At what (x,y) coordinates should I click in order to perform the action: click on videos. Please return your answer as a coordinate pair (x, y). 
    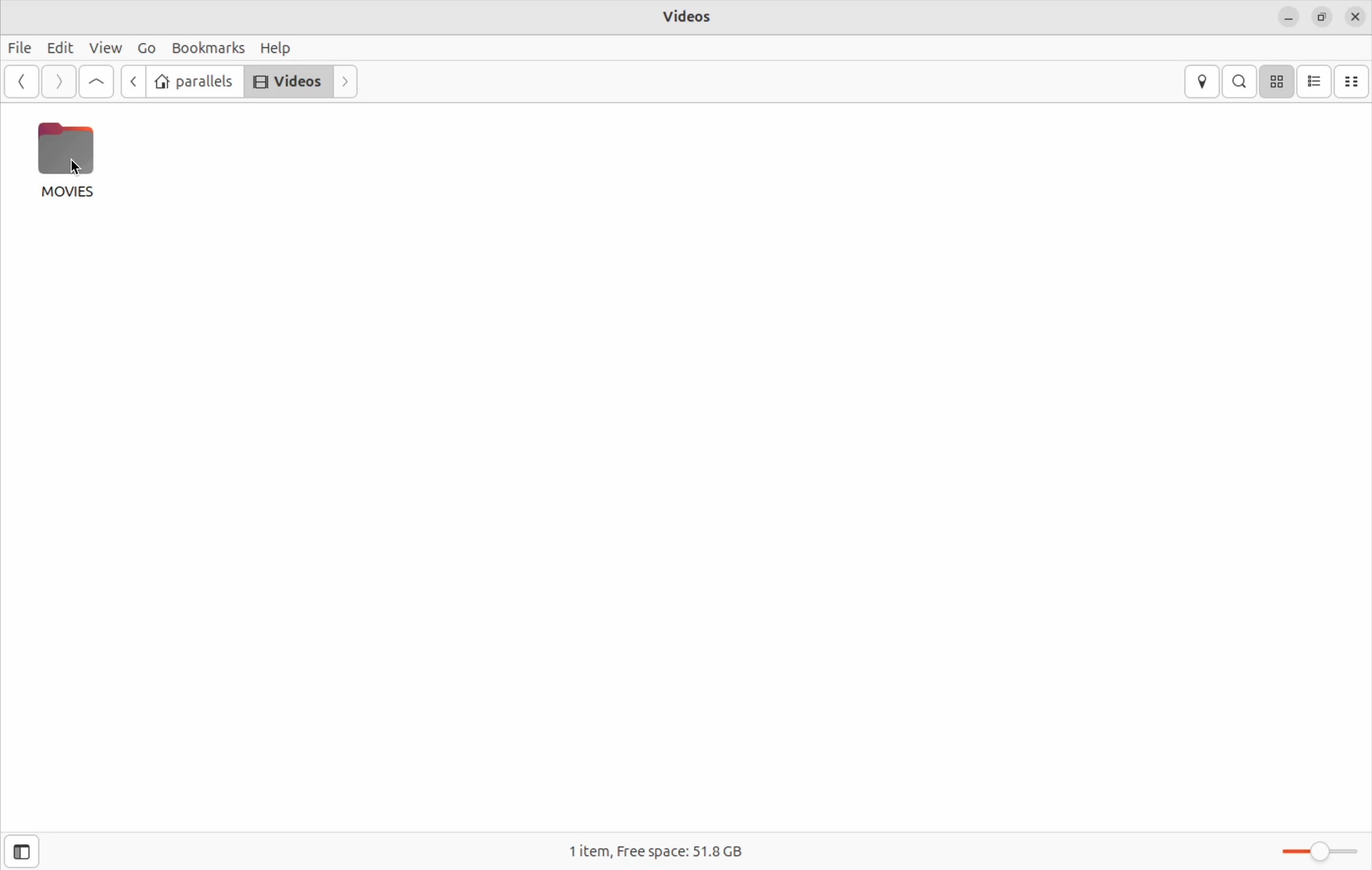
    Looking at the image, I should click on (691, 18).